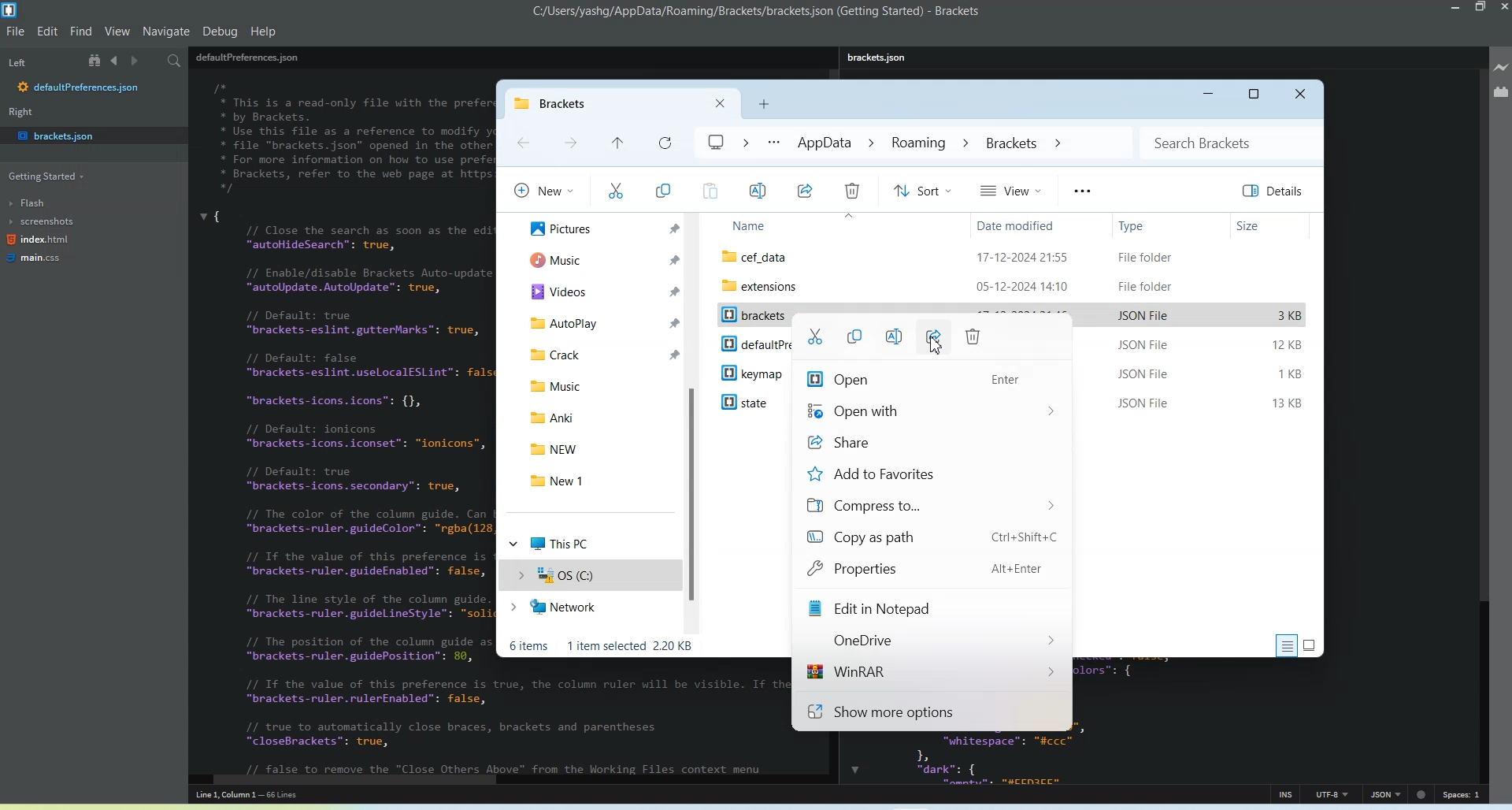 The width and height of the screenshot is (1512, 810). I want to click on Autoplay, so click(598, 320).